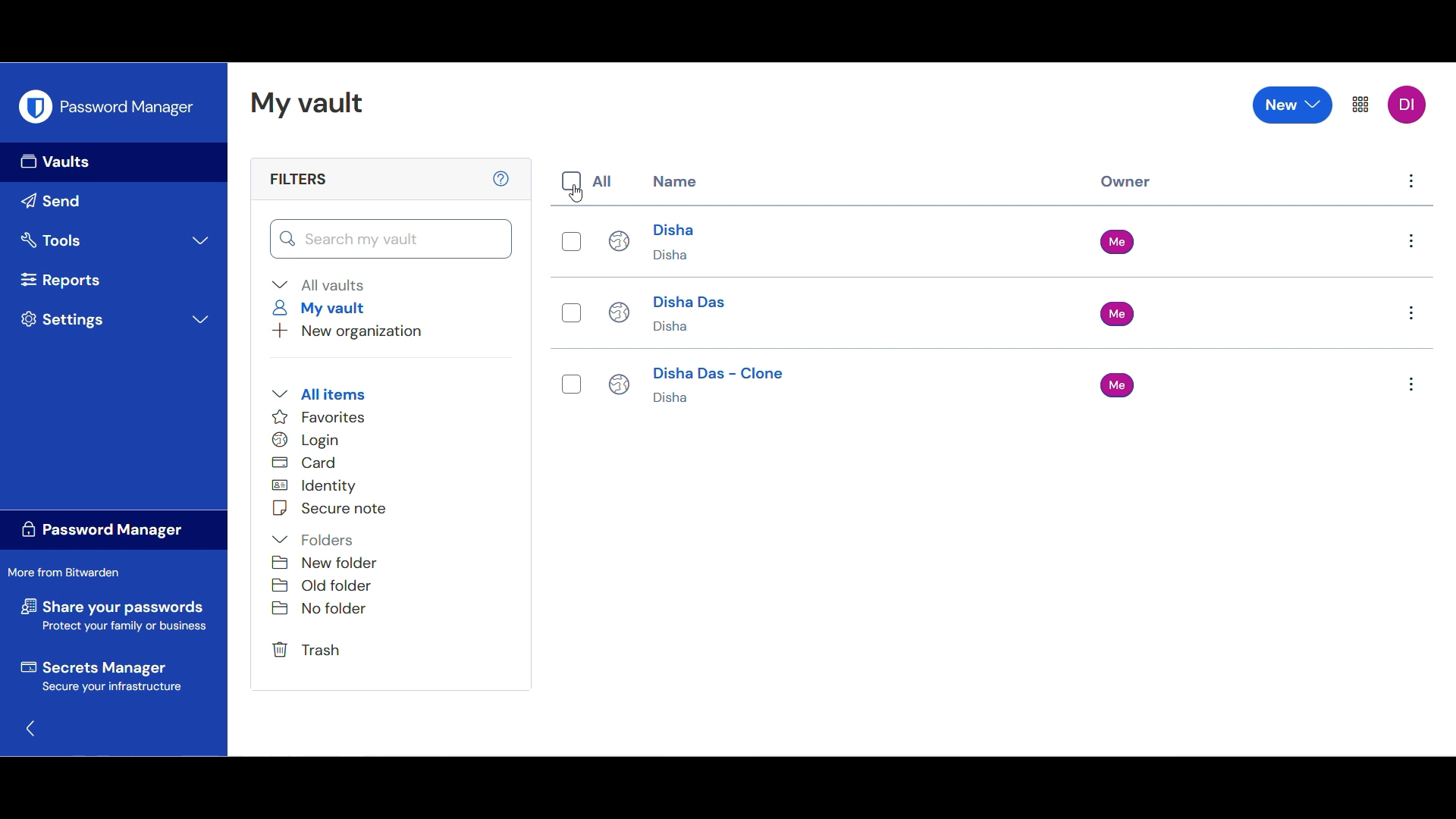 The width and height of the screenshot is (1456, 819). I want to click on Send, so click(114, 202).